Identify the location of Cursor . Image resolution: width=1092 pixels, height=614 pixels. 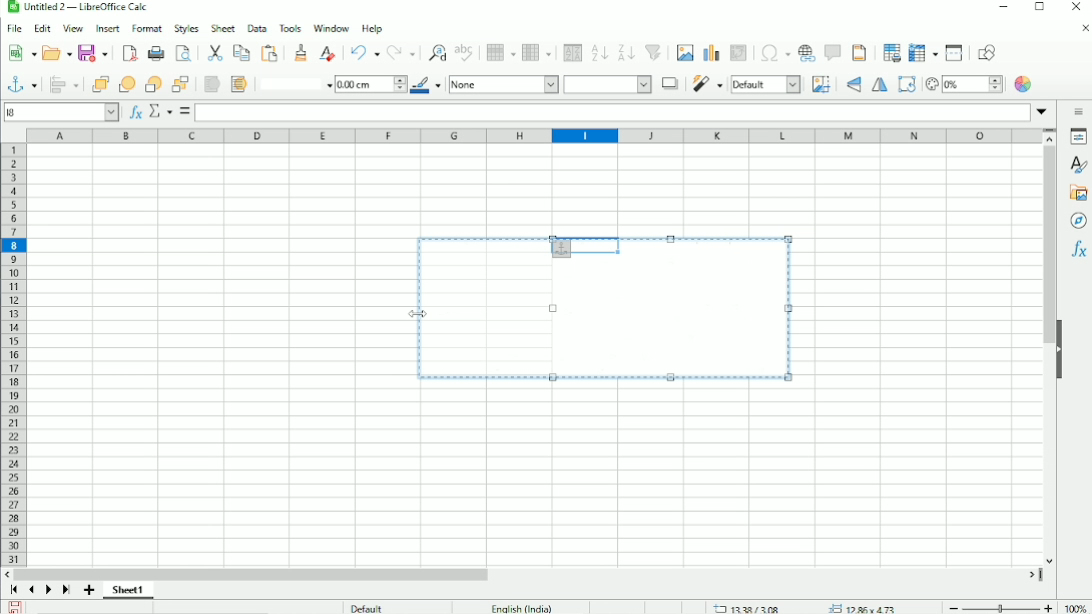
(420, 313).